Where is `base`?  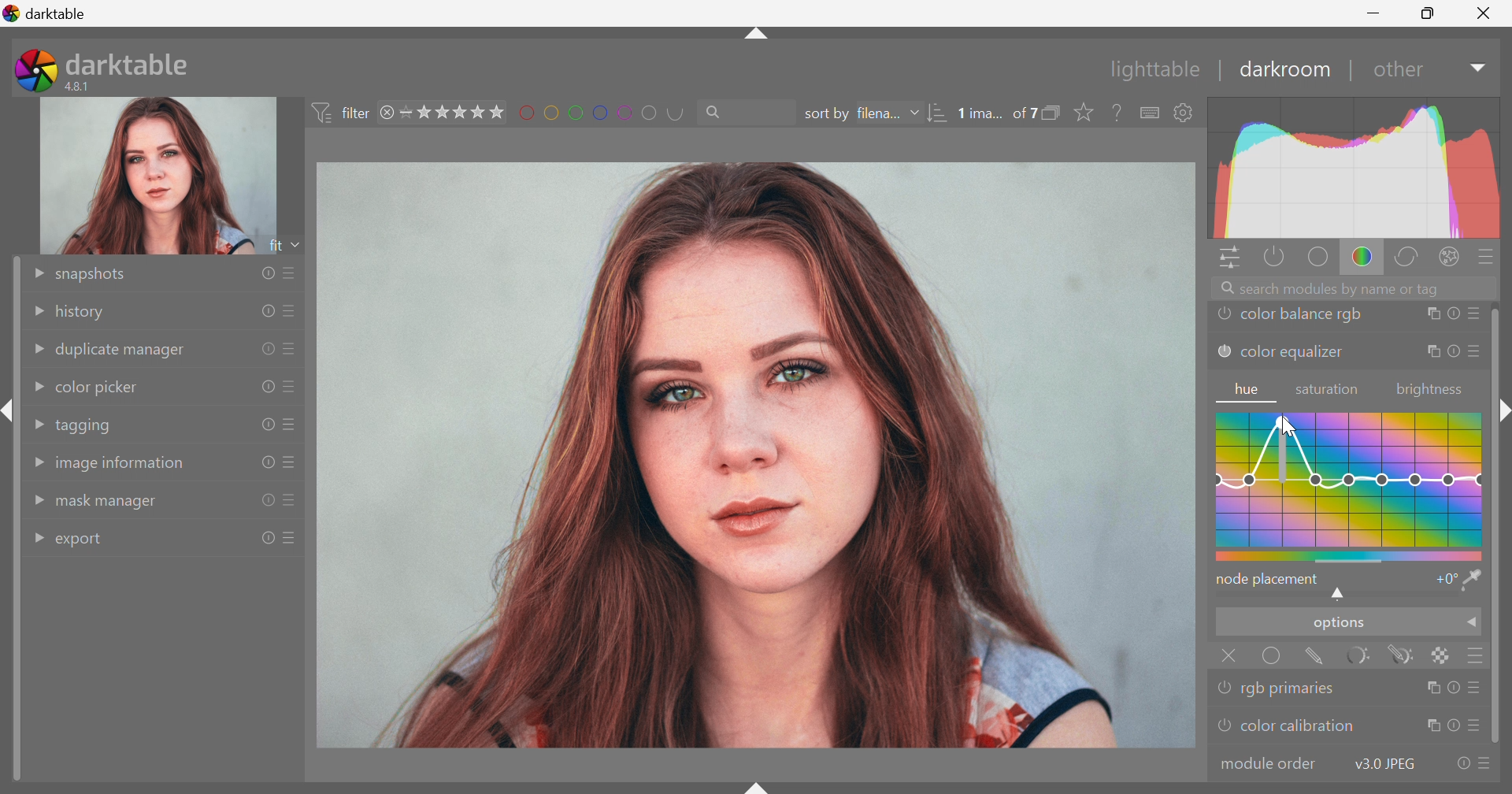 base is located at coordinates (1317, 258).